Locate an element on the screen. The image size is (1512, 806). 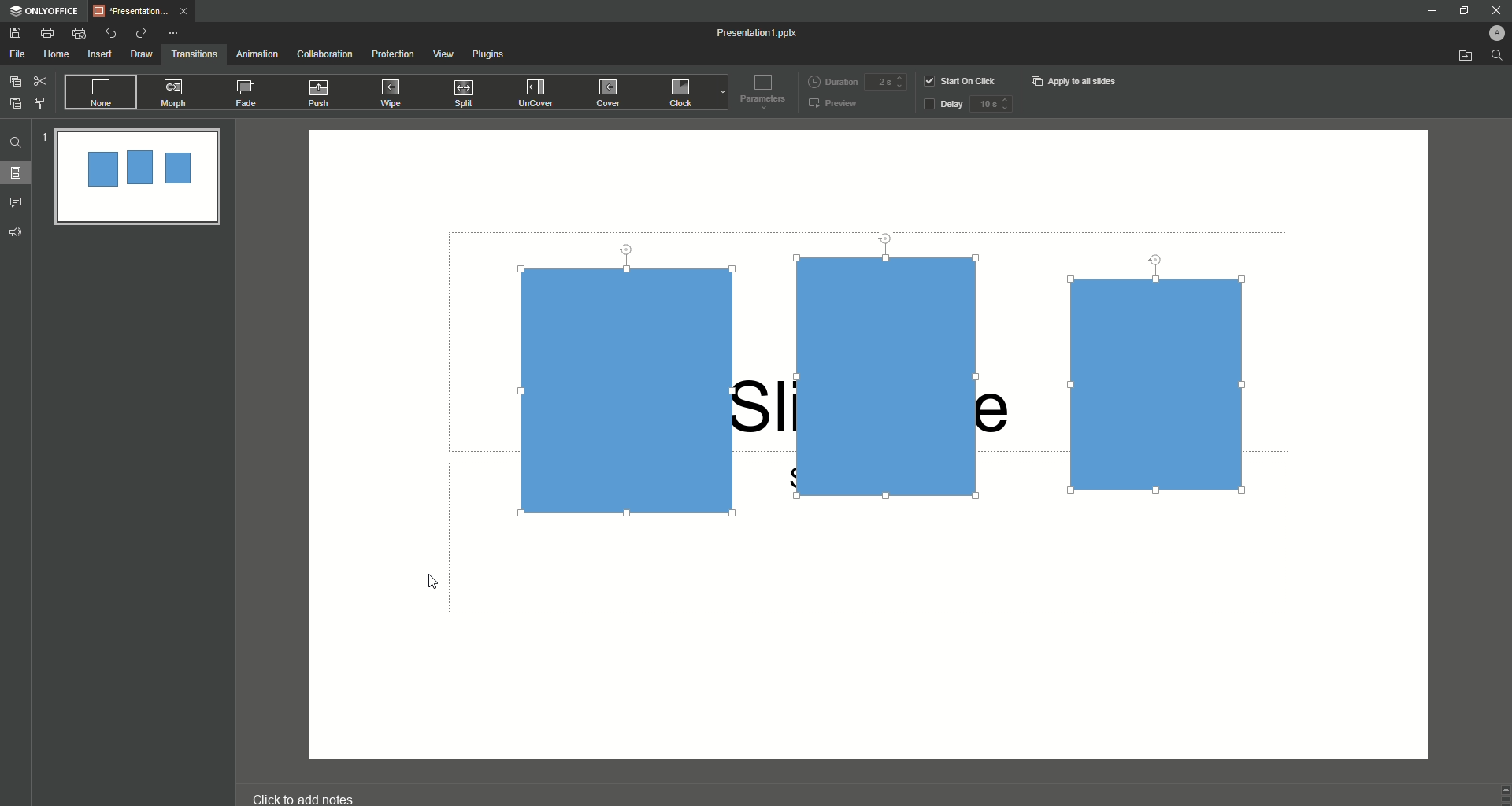
Undo is located at coordinates (112, 32).